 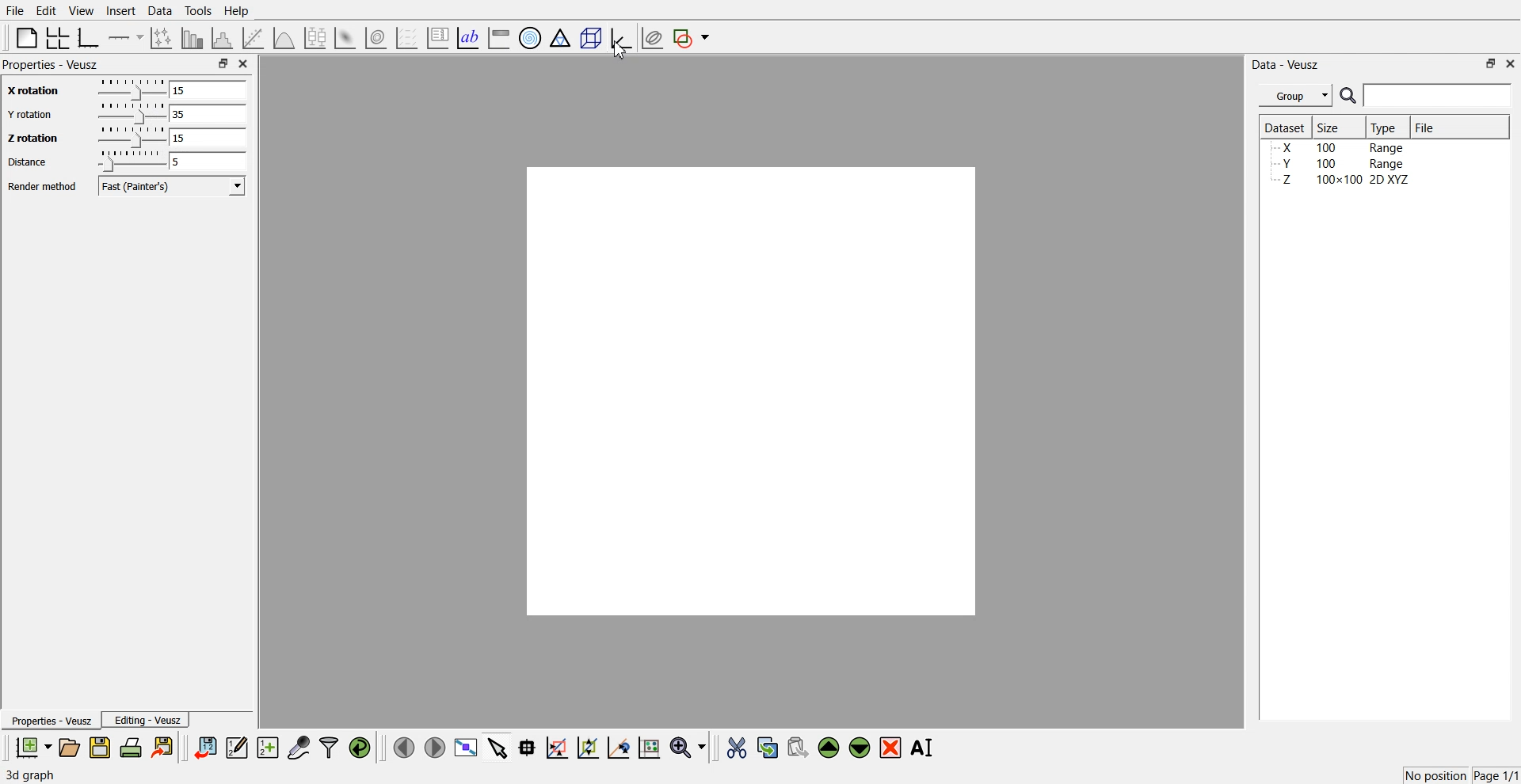 What do you see at coordinates (1285, 65) in the screenshot?
I see `Data - Veusz` at bounding box center [1285, 65].